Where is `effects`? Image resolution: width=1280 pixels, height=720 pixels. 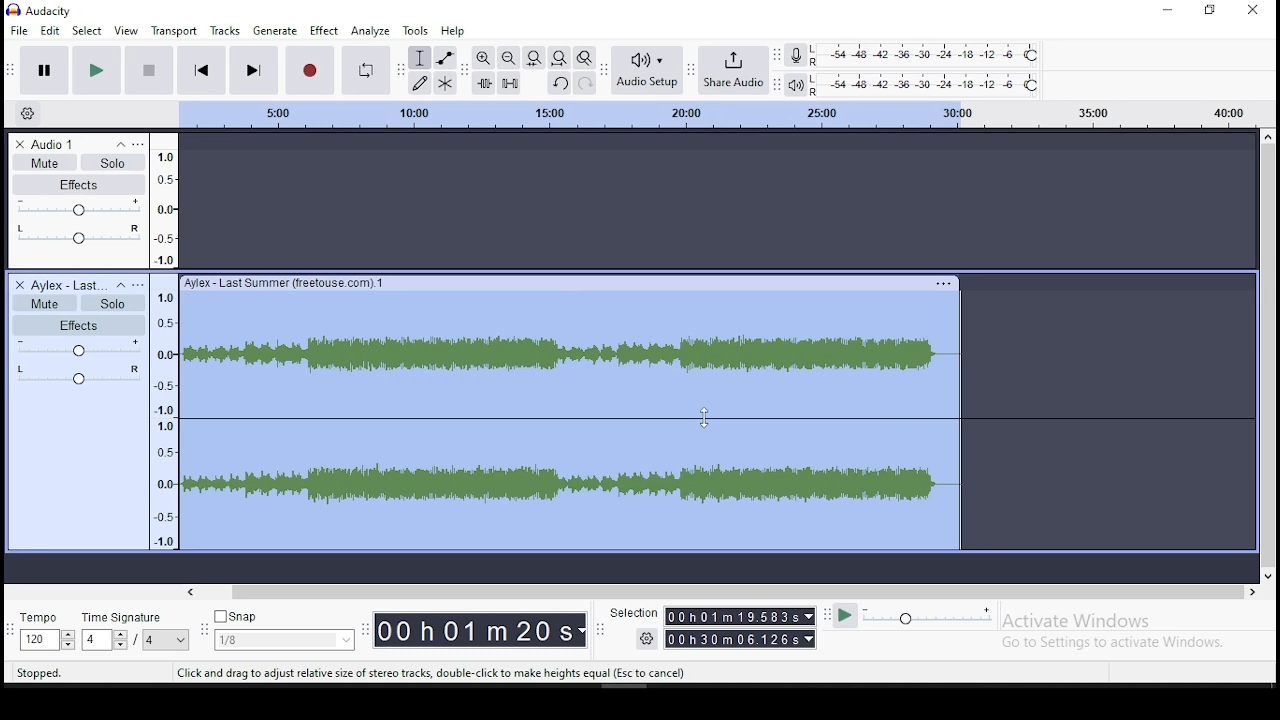
effects is located at coordinates (79, 185).